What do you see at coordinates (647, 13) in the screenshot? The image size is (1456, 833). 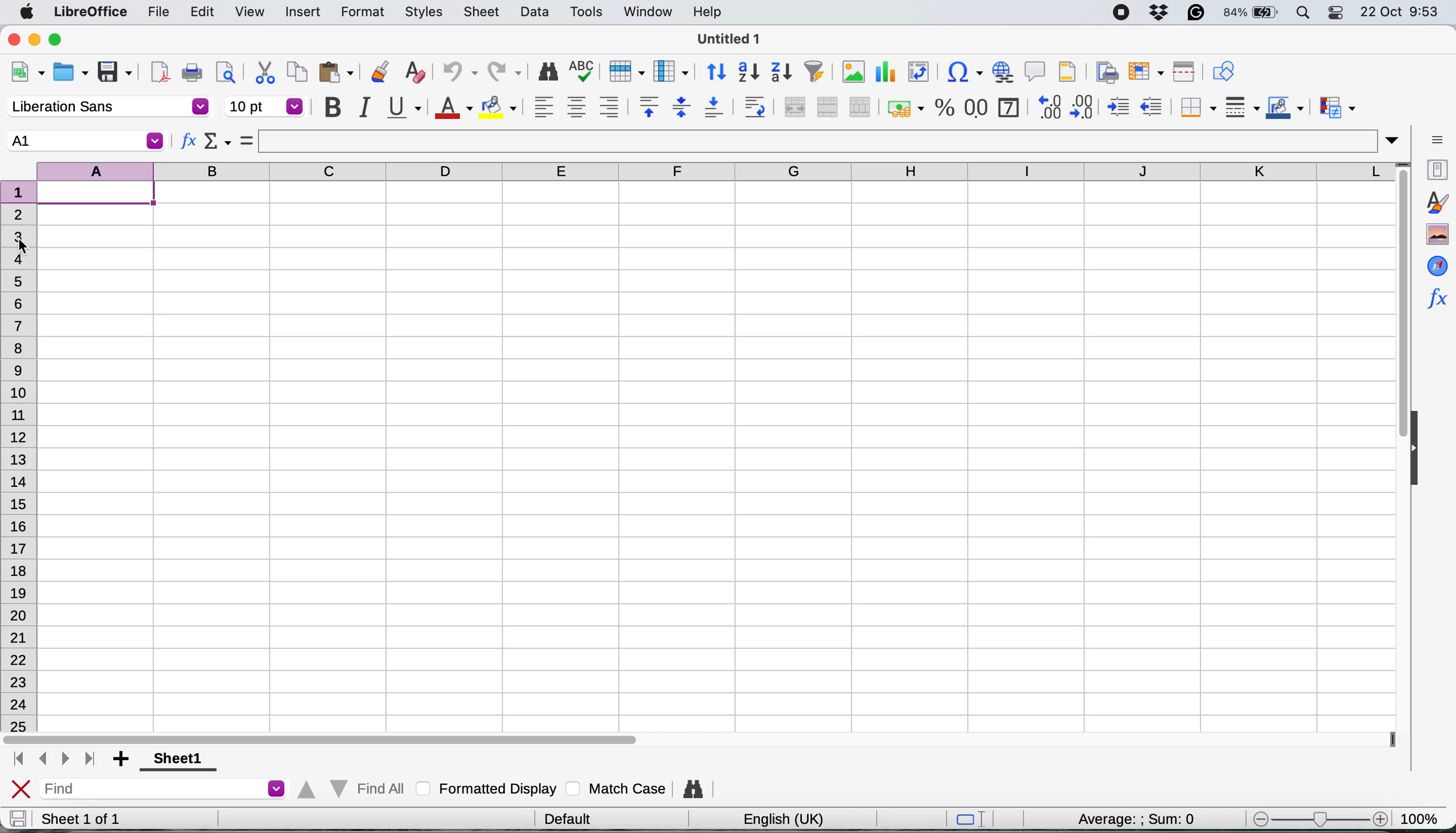 I see `window` at bounding box center [647, 13].